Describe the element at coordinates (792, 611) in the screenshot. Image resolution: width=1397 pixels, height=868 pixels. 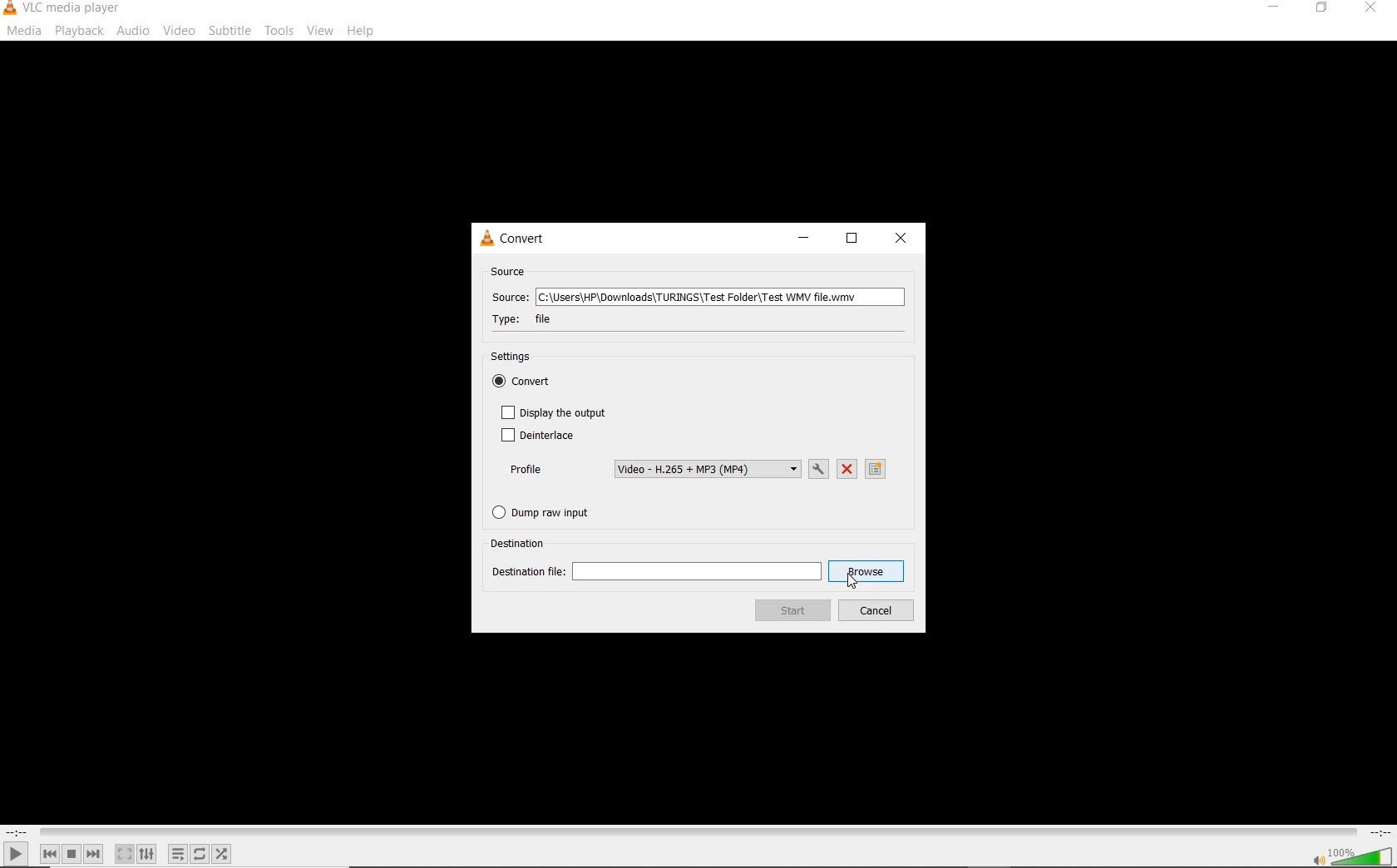
I see `start` at that location.